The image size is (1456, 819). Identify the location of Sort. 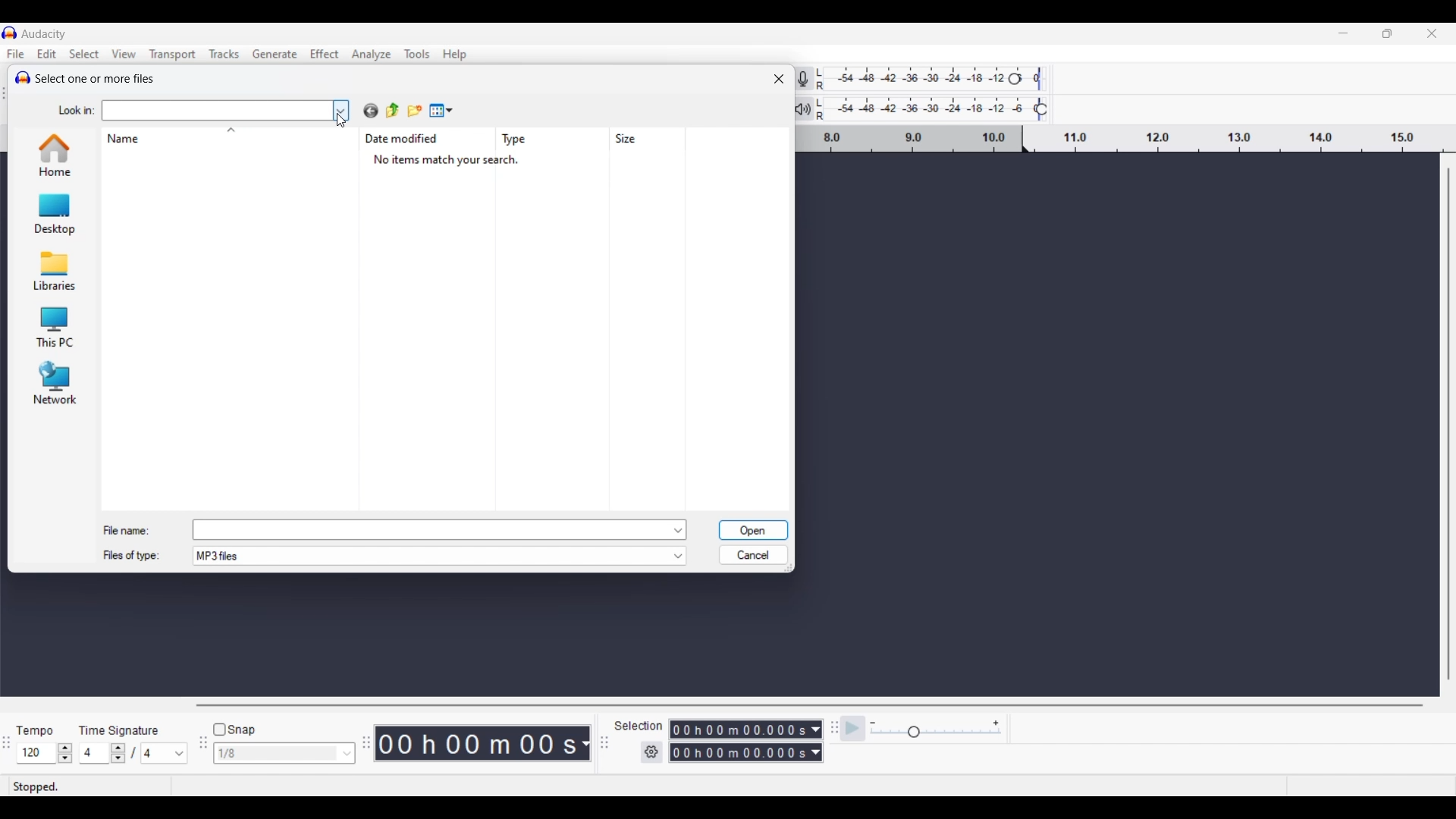
(231, 130).